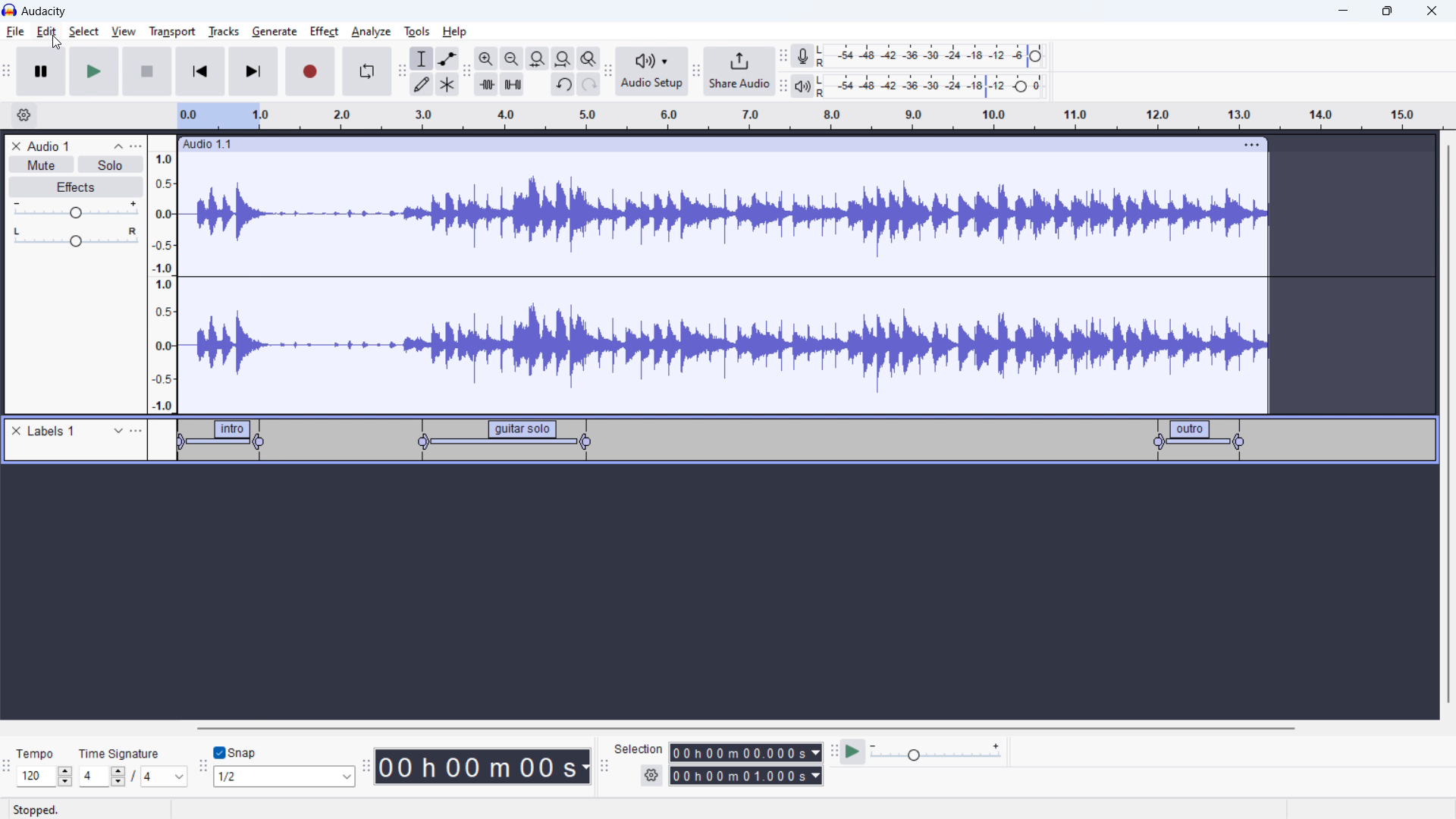 The height and width of the screenshot is (819, 1456). I want to click on selection tool, so click(422, 58).